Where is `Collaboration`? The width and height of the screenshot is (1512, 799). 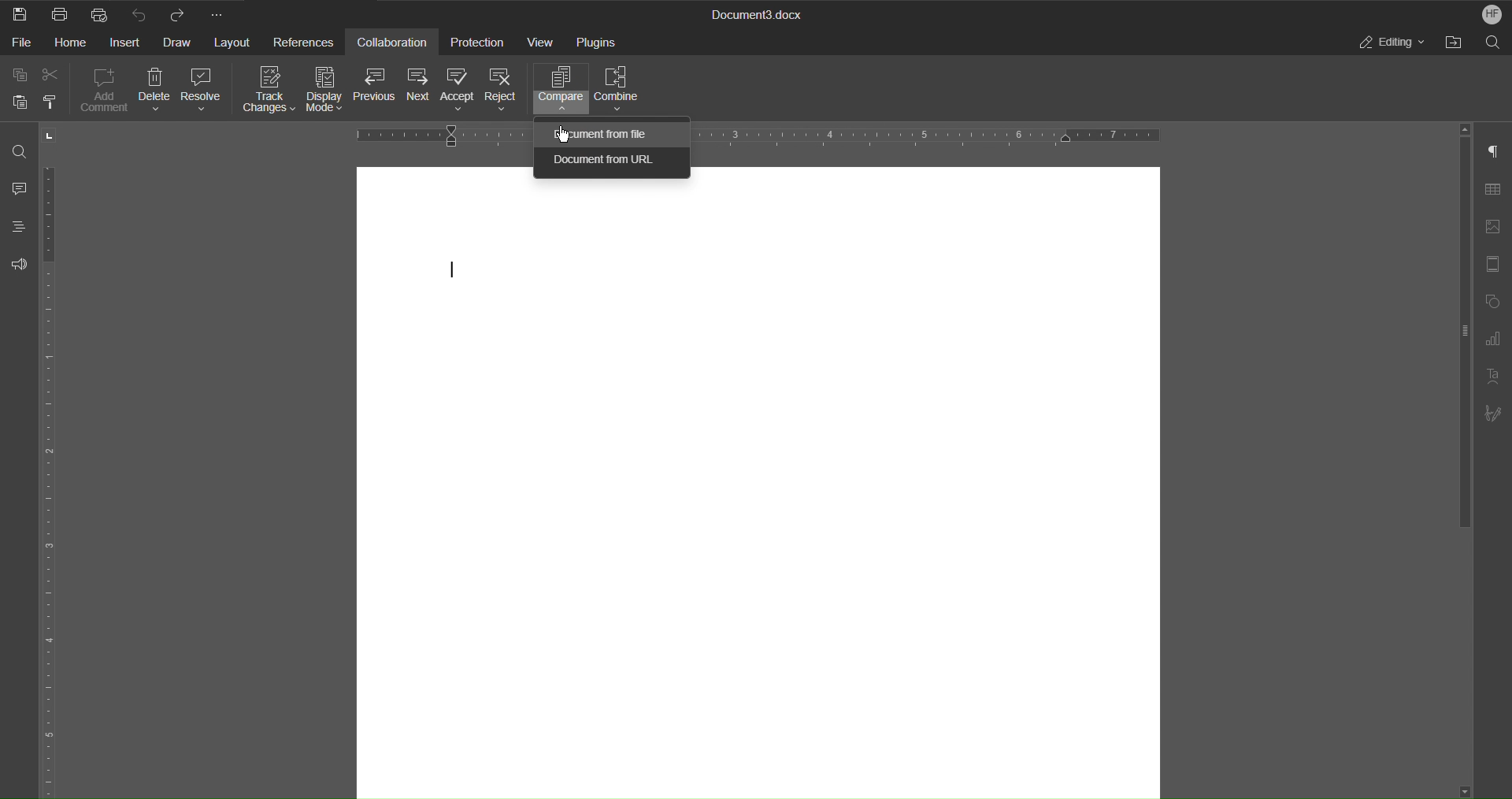 Collaboration is located at coordinates (396, 42).